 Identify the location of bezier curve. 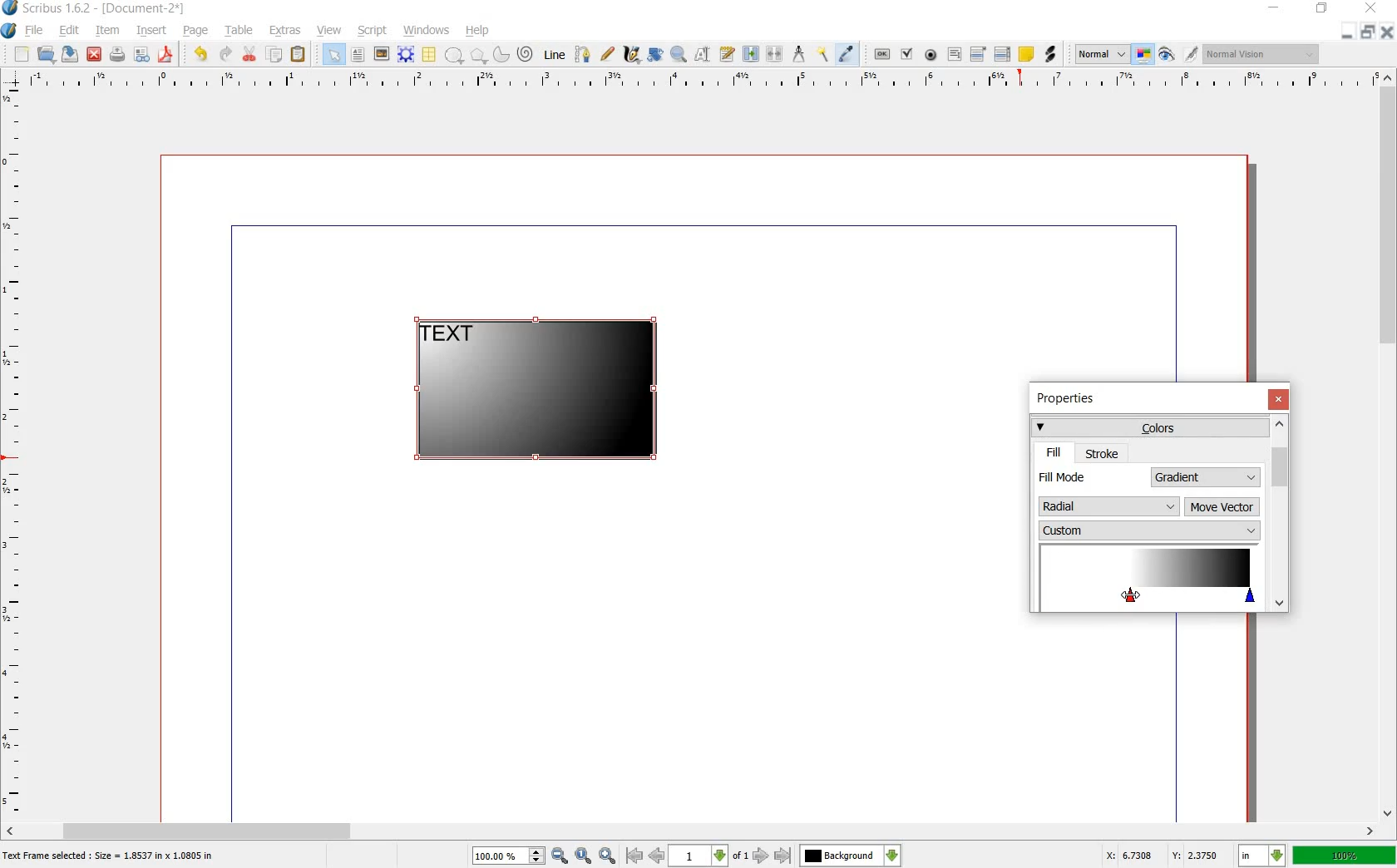
(584, 56).